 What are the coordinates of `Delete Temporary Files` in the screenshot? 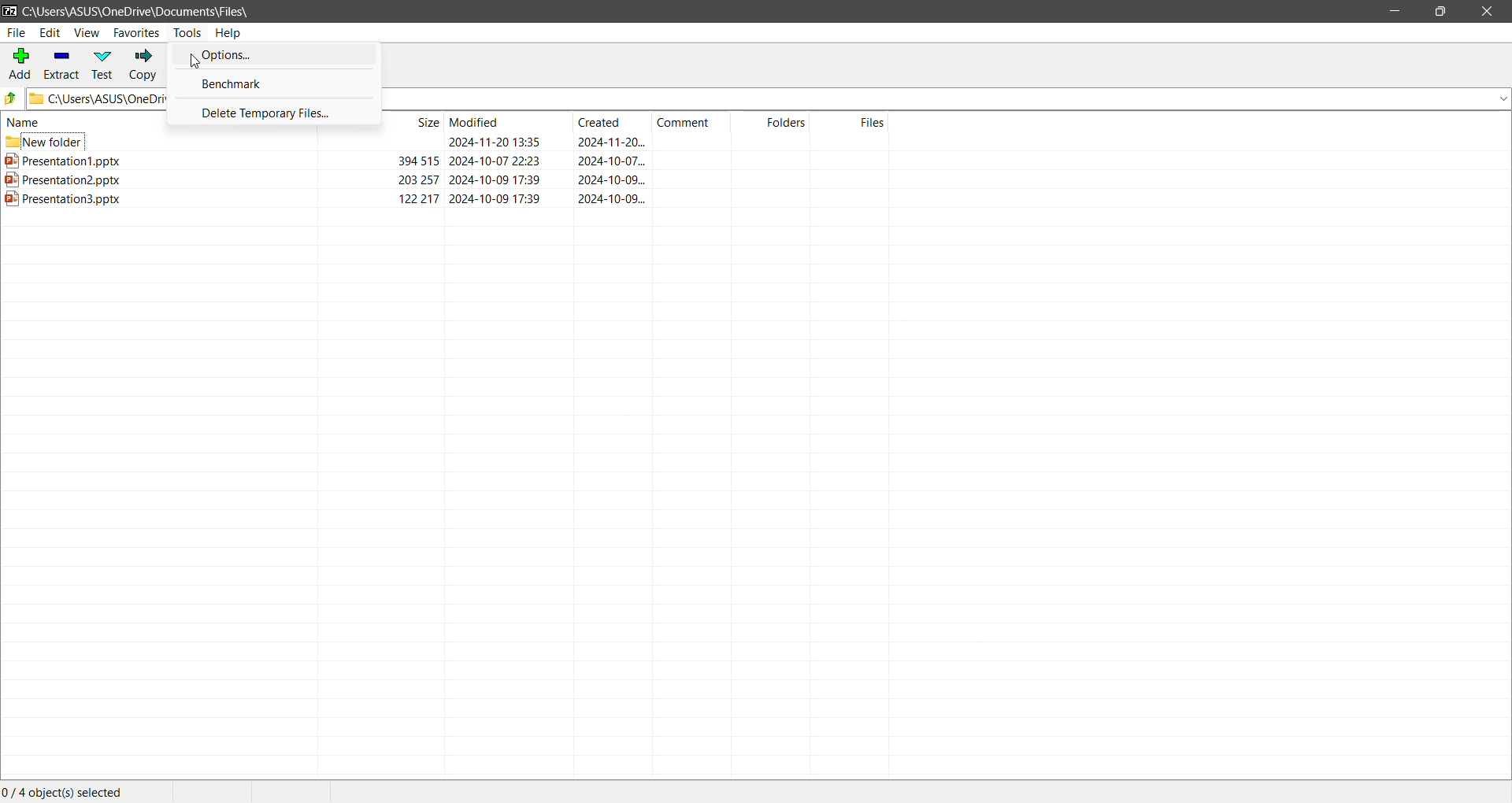 It's located at (276, 113).